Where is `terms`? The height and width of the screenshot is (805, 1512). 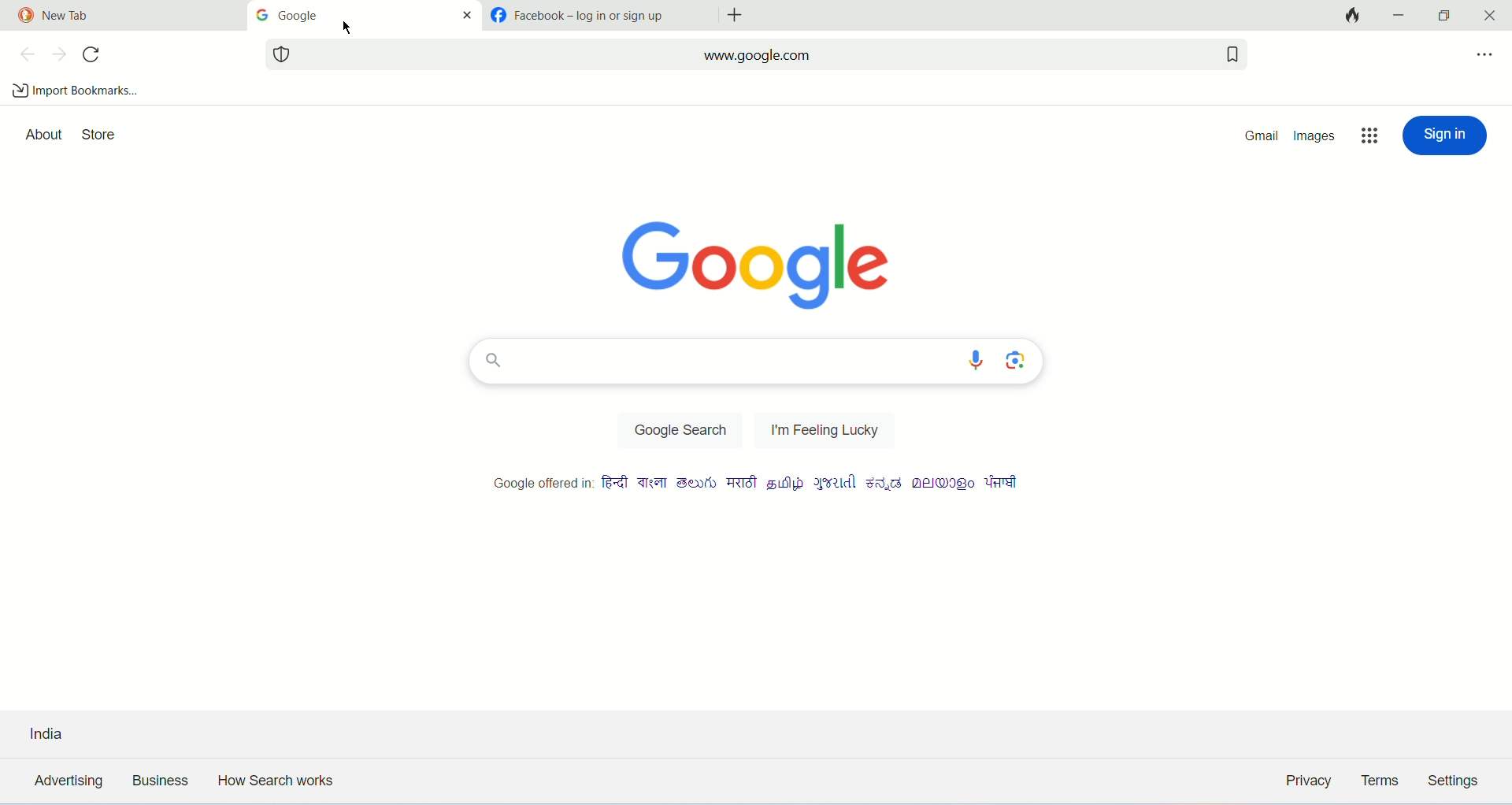
terms is located at coordinates (1383, 780).